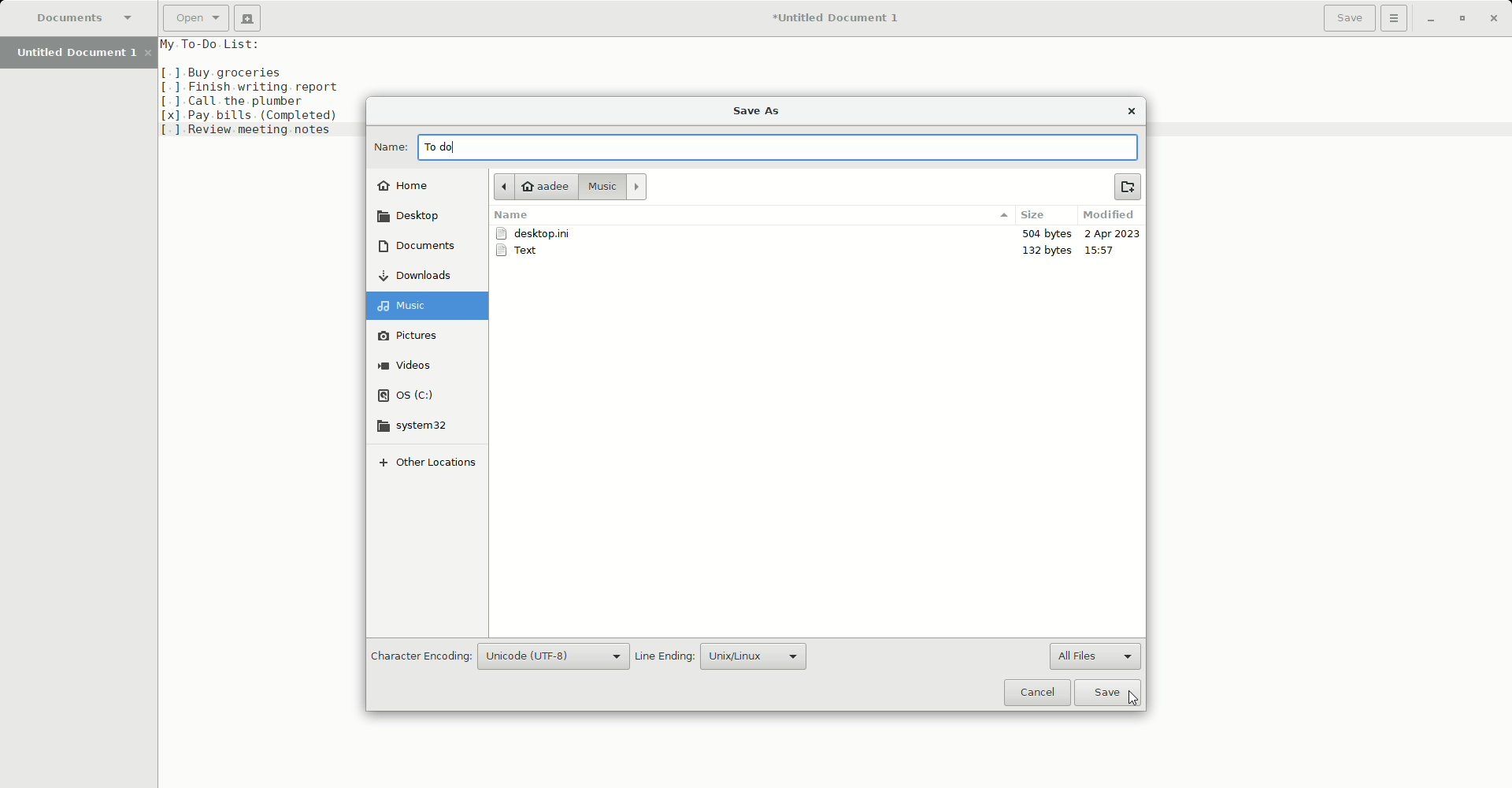  I want to click on Save, so click(1111, 693).